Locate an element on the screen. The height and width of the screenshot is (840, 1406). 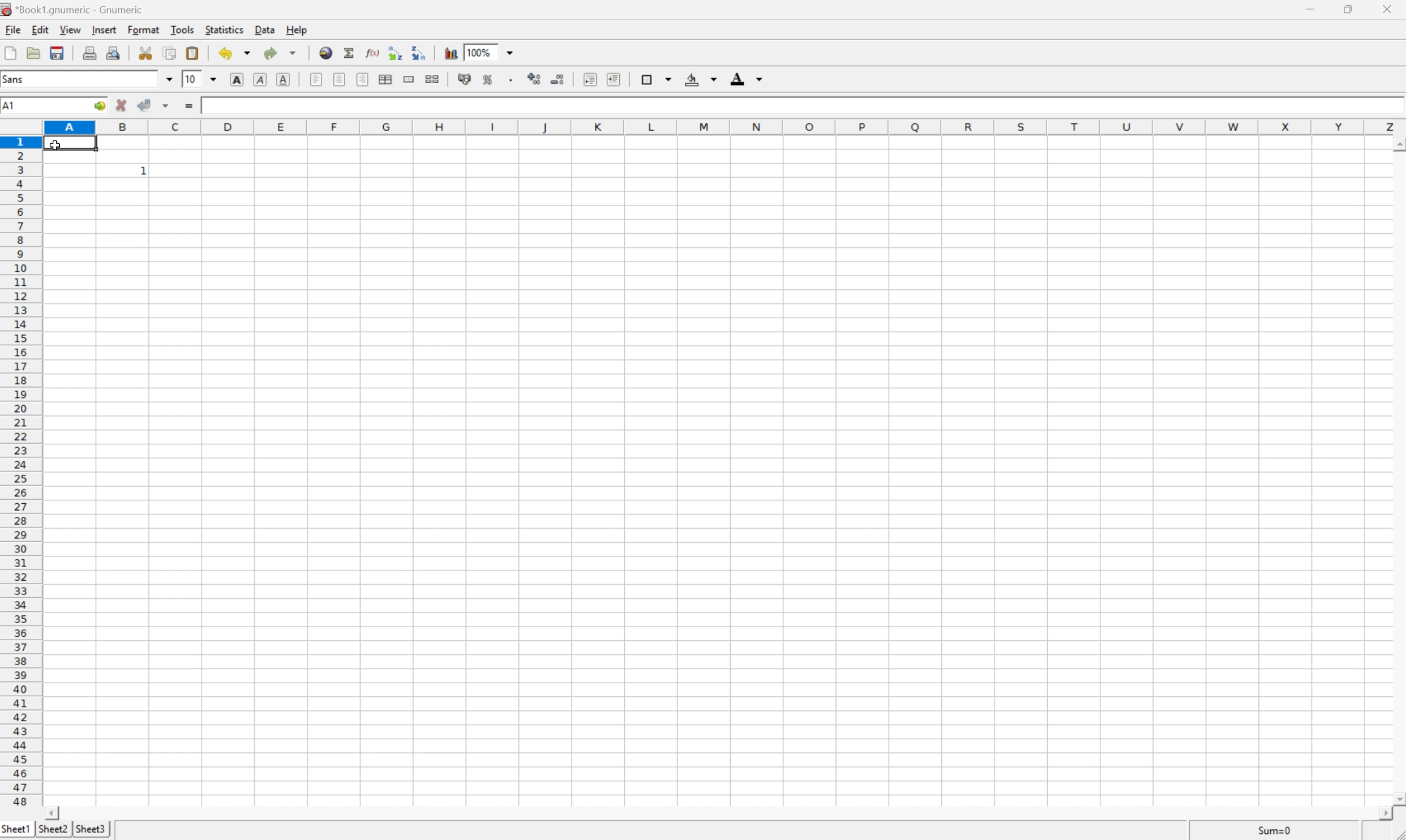
borders is located at coordinates (655, 80).